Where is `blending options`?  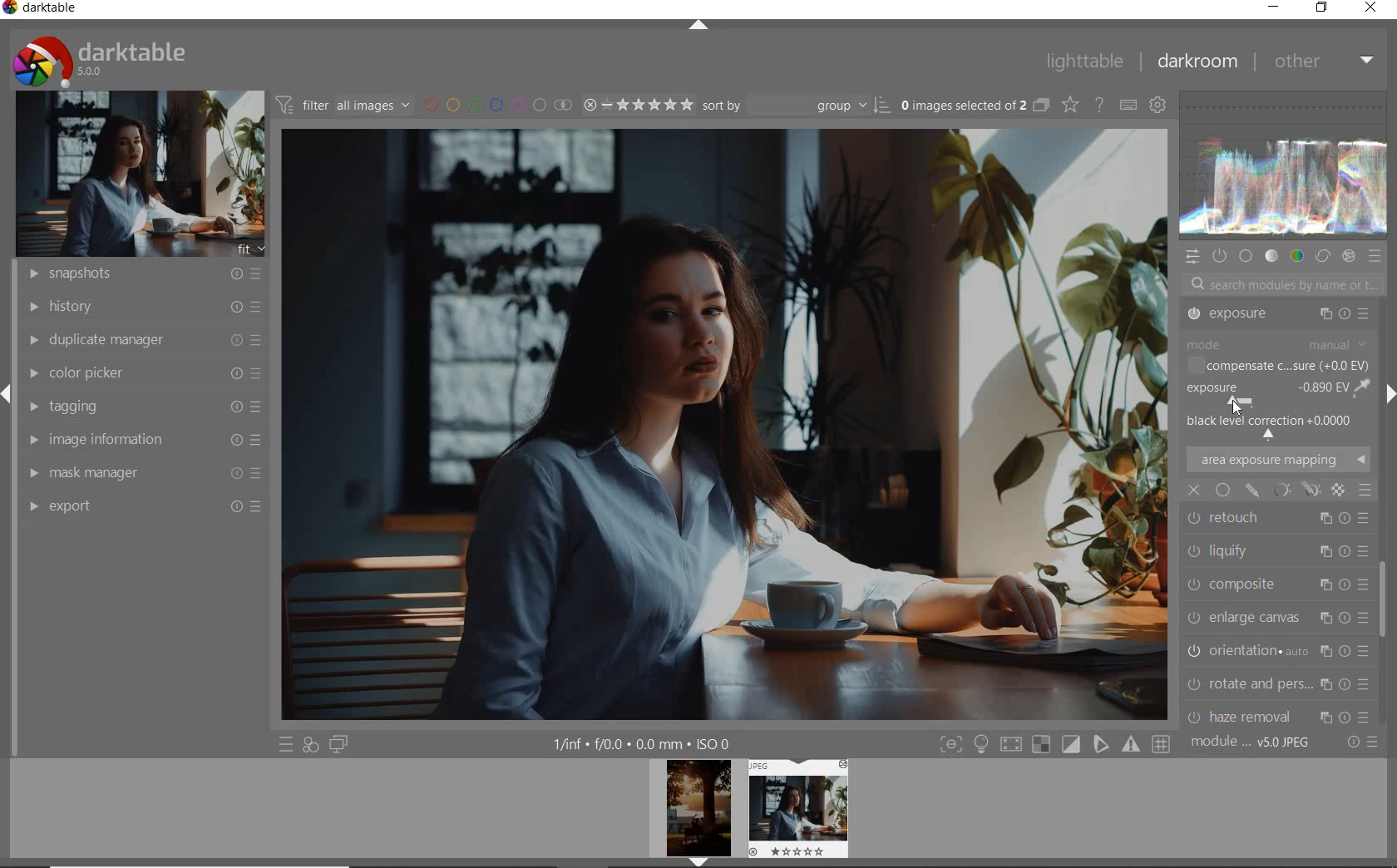
blending options is located at coordinates (1365, 491).